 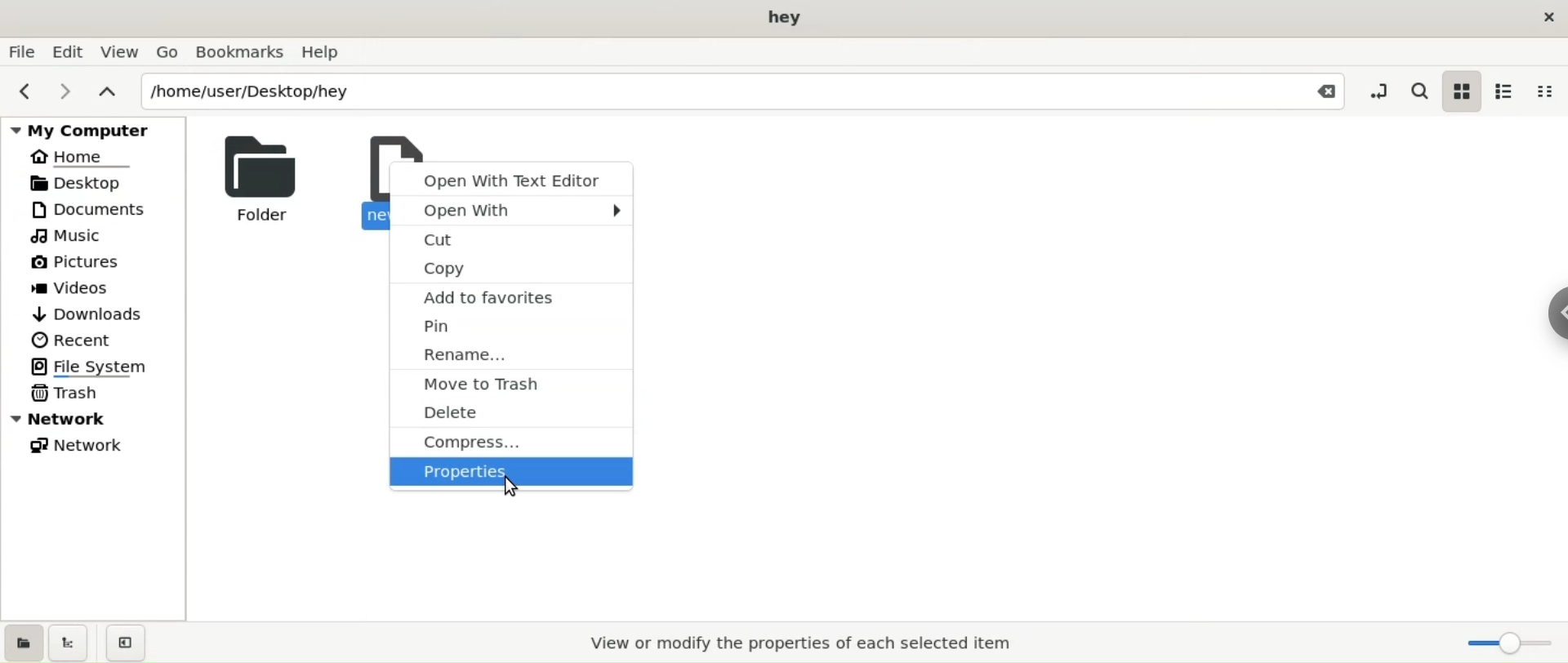 I want to click on File System, so click(x=96, y=366).